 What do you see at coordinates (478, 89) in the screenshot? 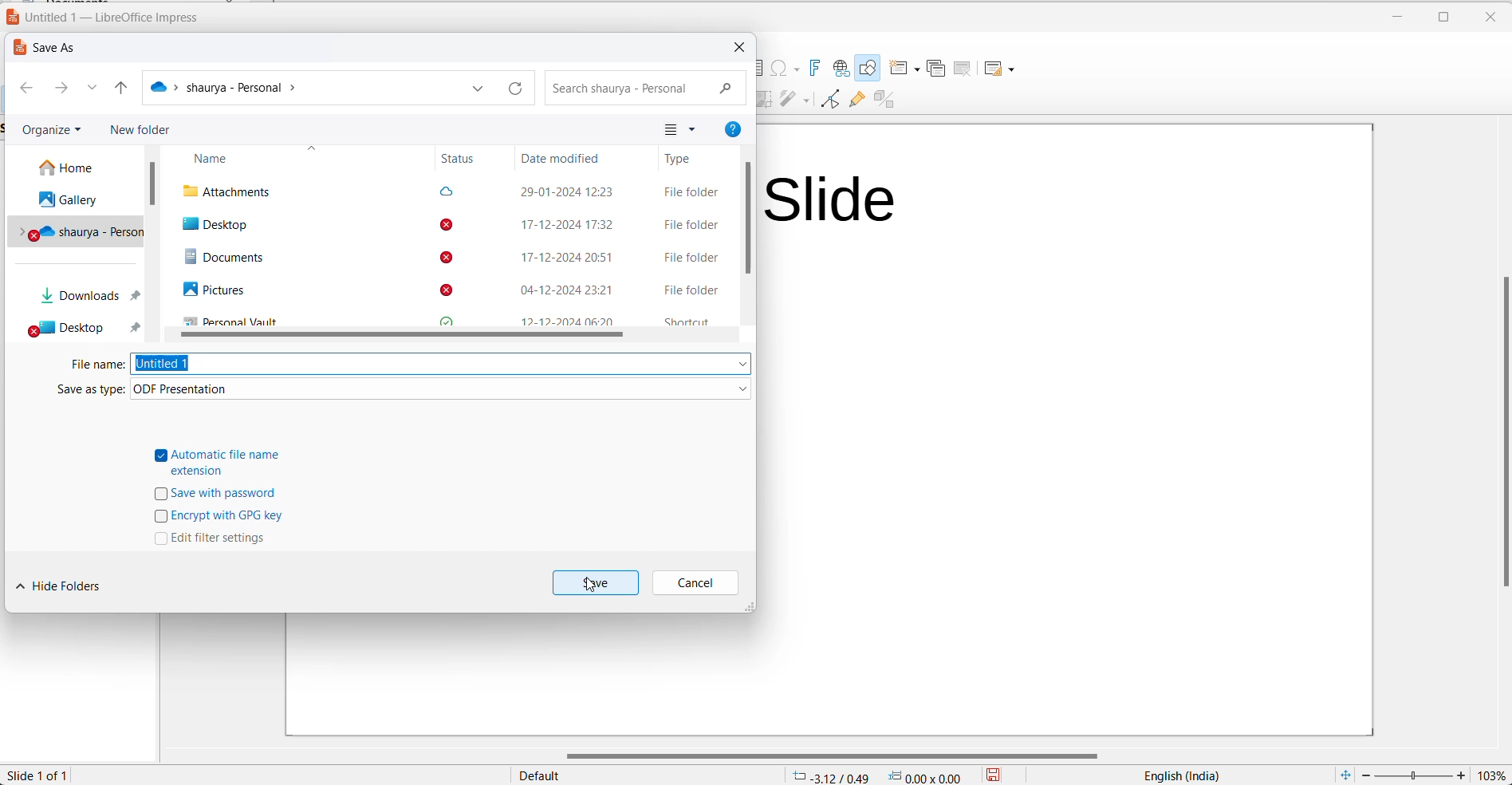
I see `path dropdown` at bounding box center [478, 89].